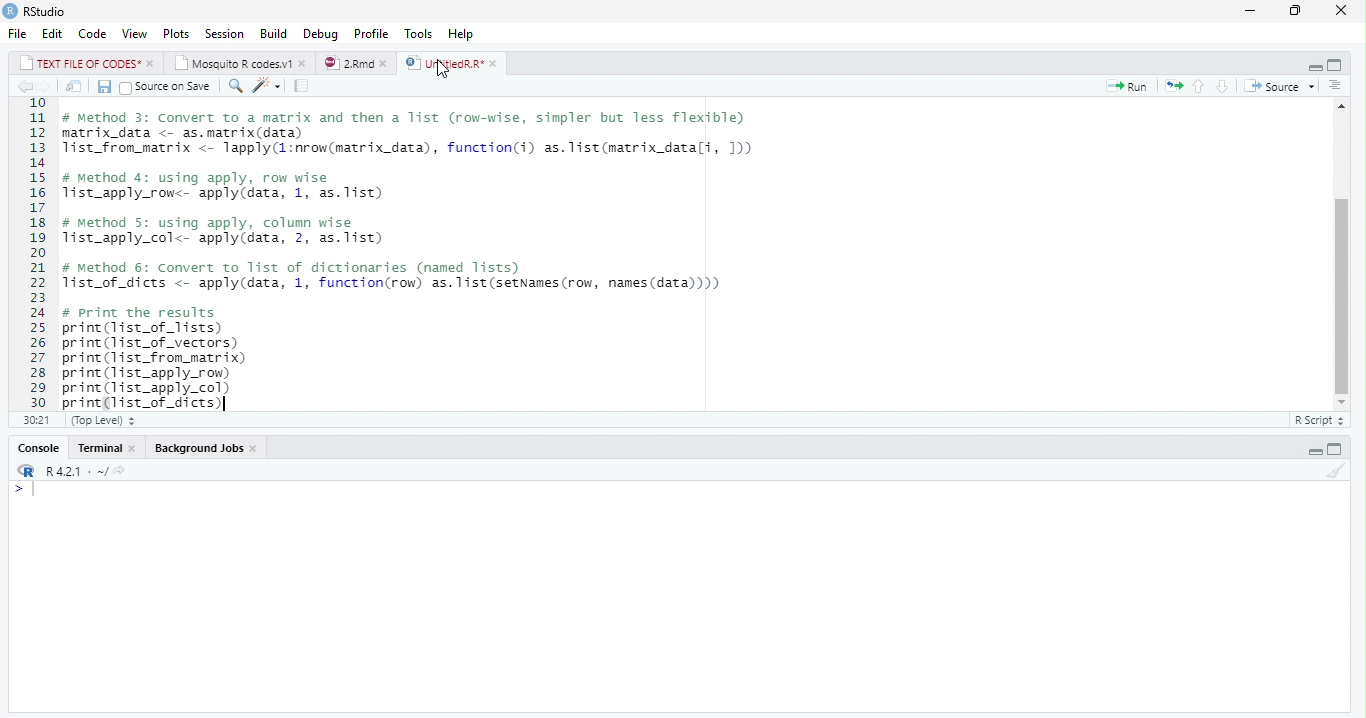 The image size is (1366, 718). Describe the element at coordinates (239, 62) in the screenshot. I see `Mosquito R codes.v1` at that location.